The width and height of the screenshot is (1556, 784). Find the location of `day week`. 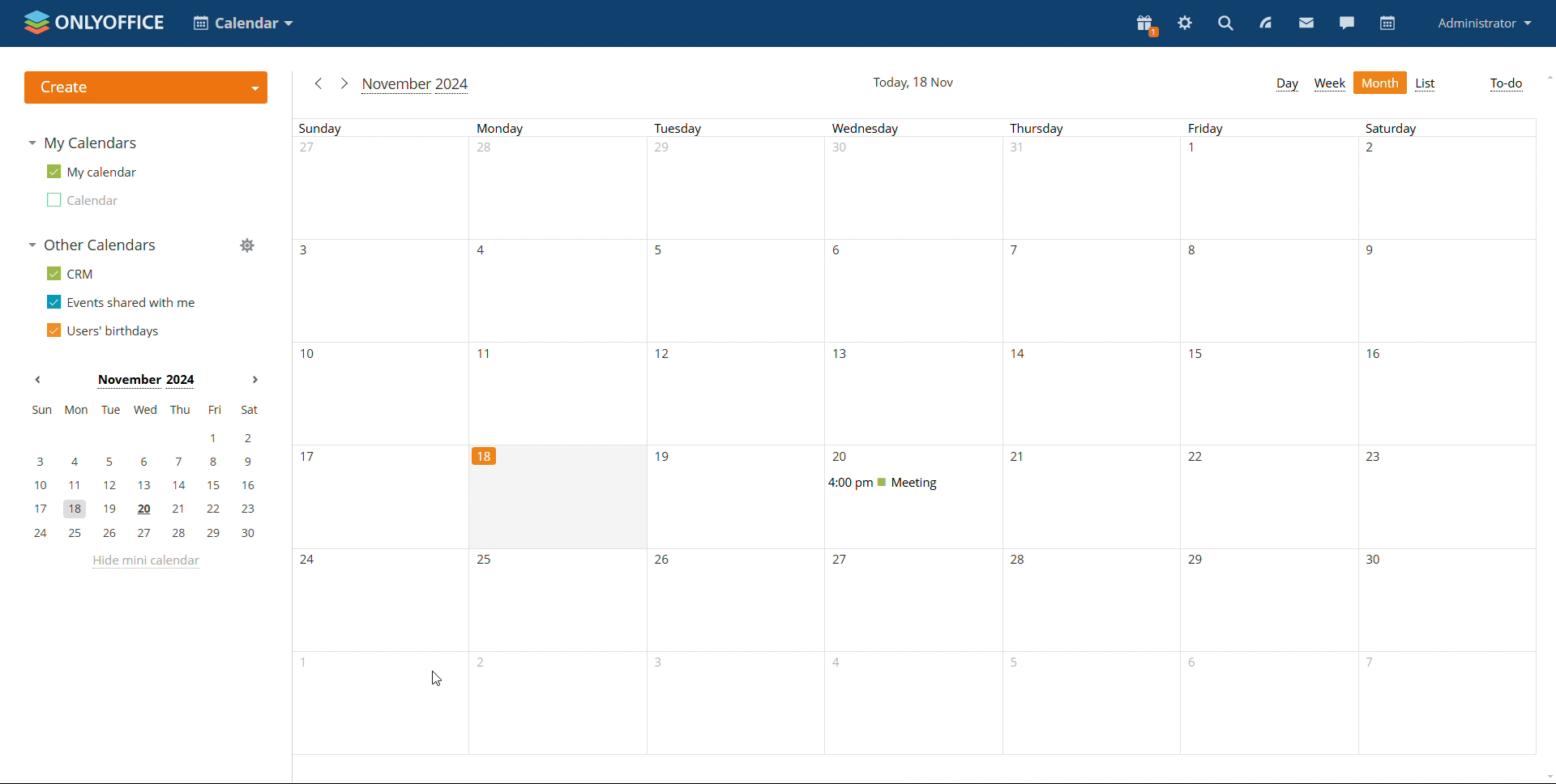

day week is located at coordinates (1287, 85).